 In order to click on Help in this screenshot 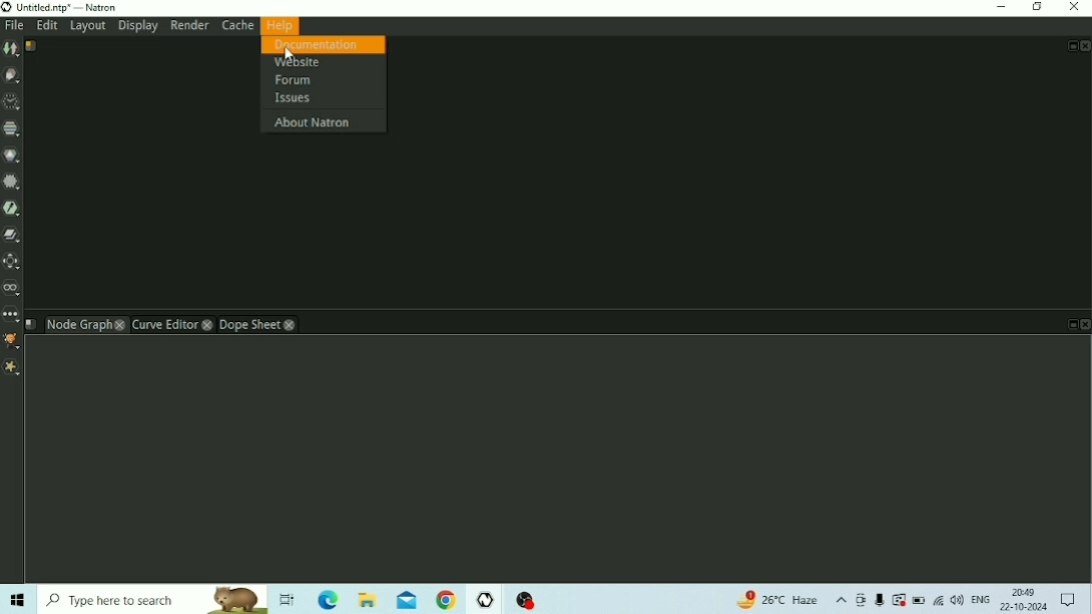, I will do `click(280, 25)`.